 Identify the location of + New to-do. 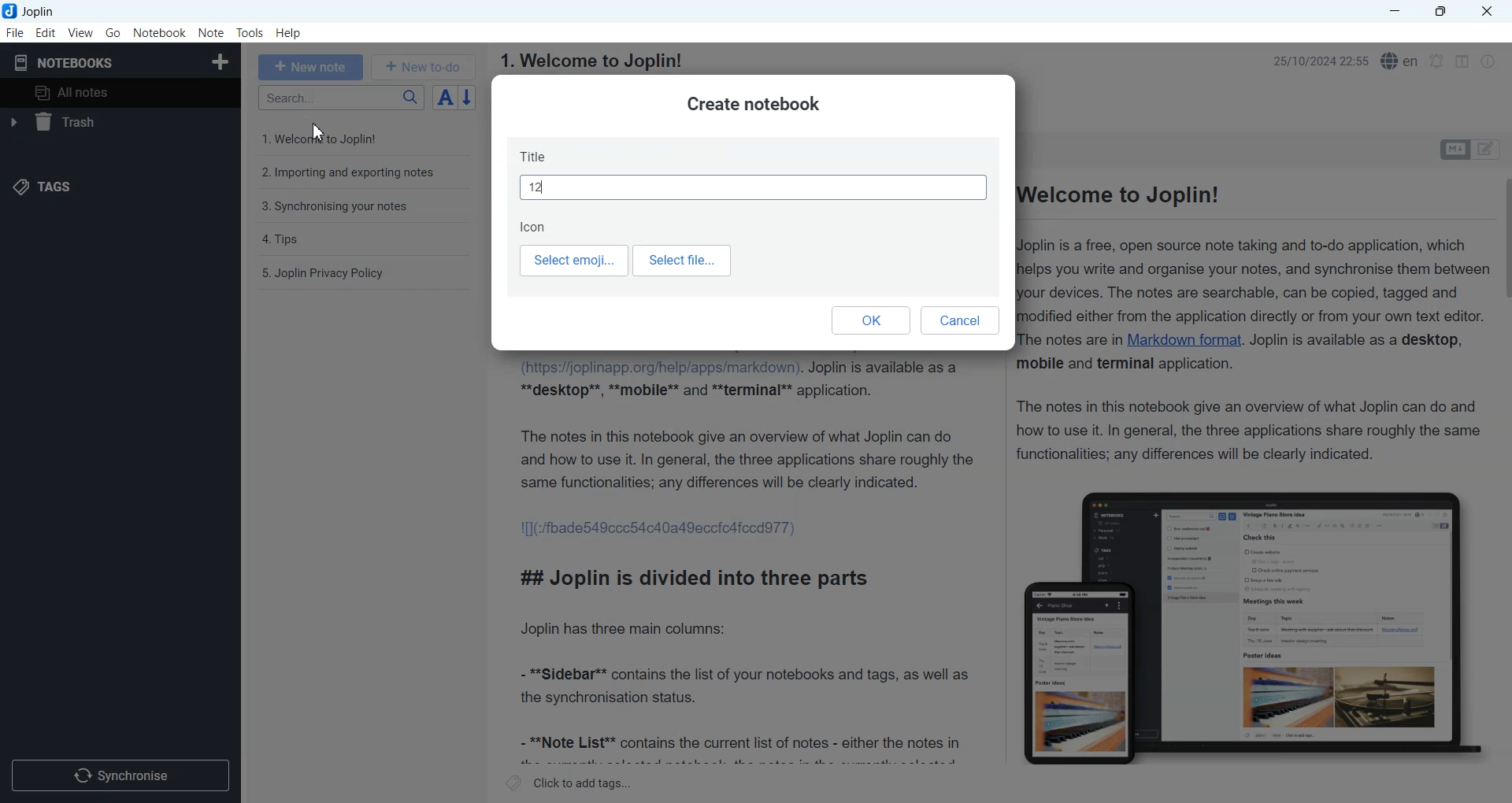
(425, 66).